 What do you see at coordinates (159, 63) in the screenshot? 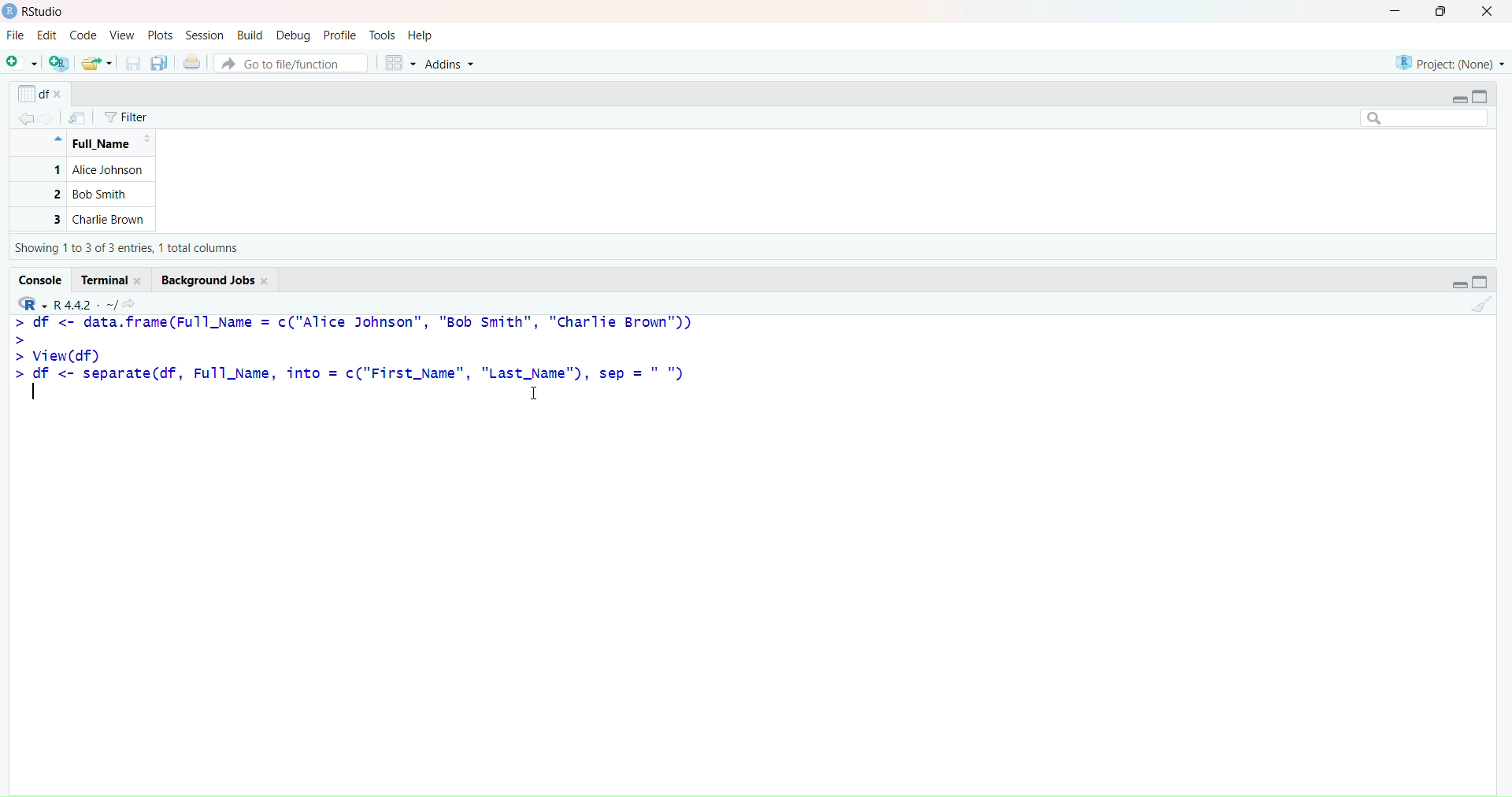
I see `Save all open documents (Ctrl + Alt + S)` at bounding box center [159, 63].